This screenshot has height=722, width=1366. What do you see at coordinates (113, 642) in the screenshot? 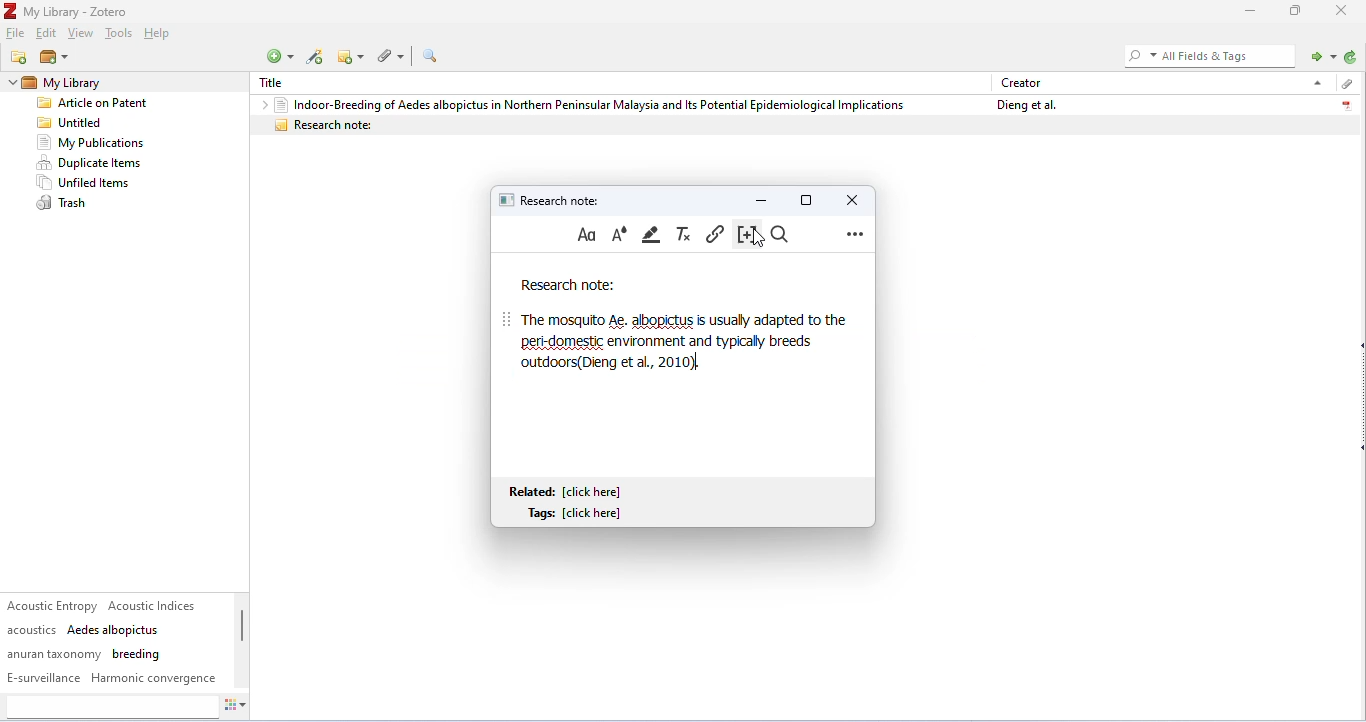
I see `tags` at bounding box center [113, 642].